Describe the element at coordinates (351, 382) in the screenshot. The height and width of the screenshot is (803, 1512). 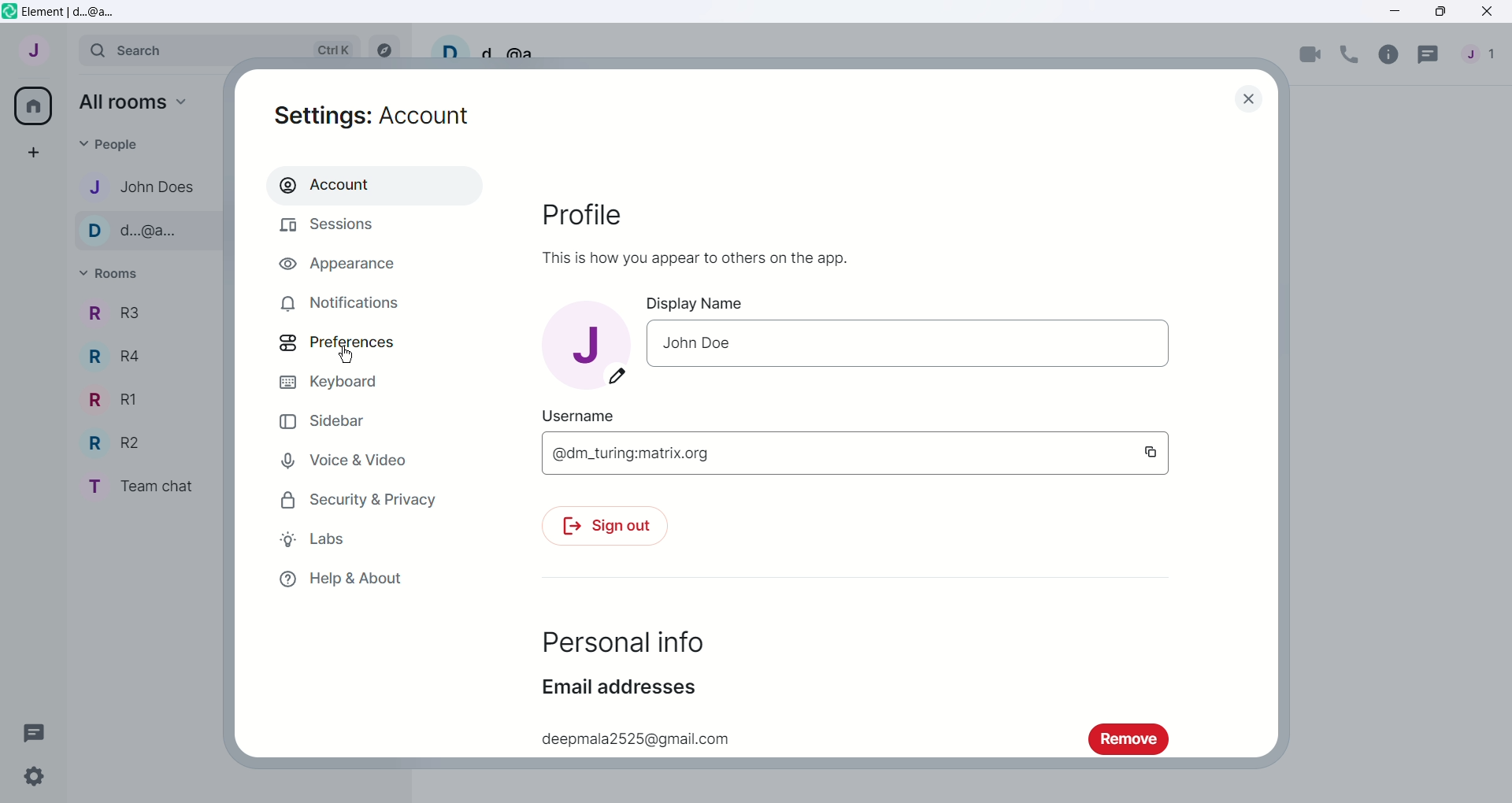
I see `Keyboard` at that location.